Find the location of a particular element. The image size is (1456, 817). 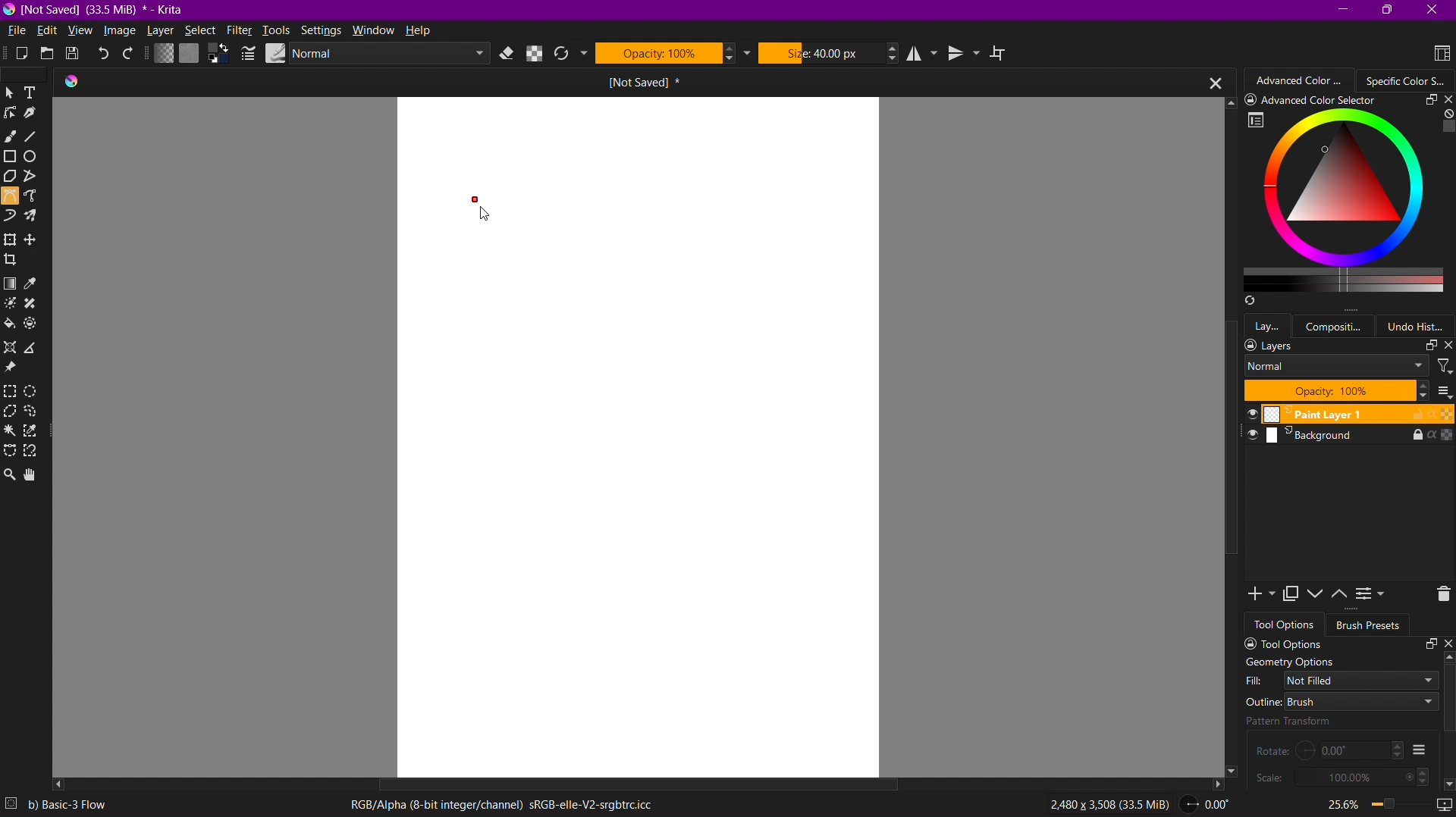

Freehand Selection Tool is located at coordinates (36, 414).